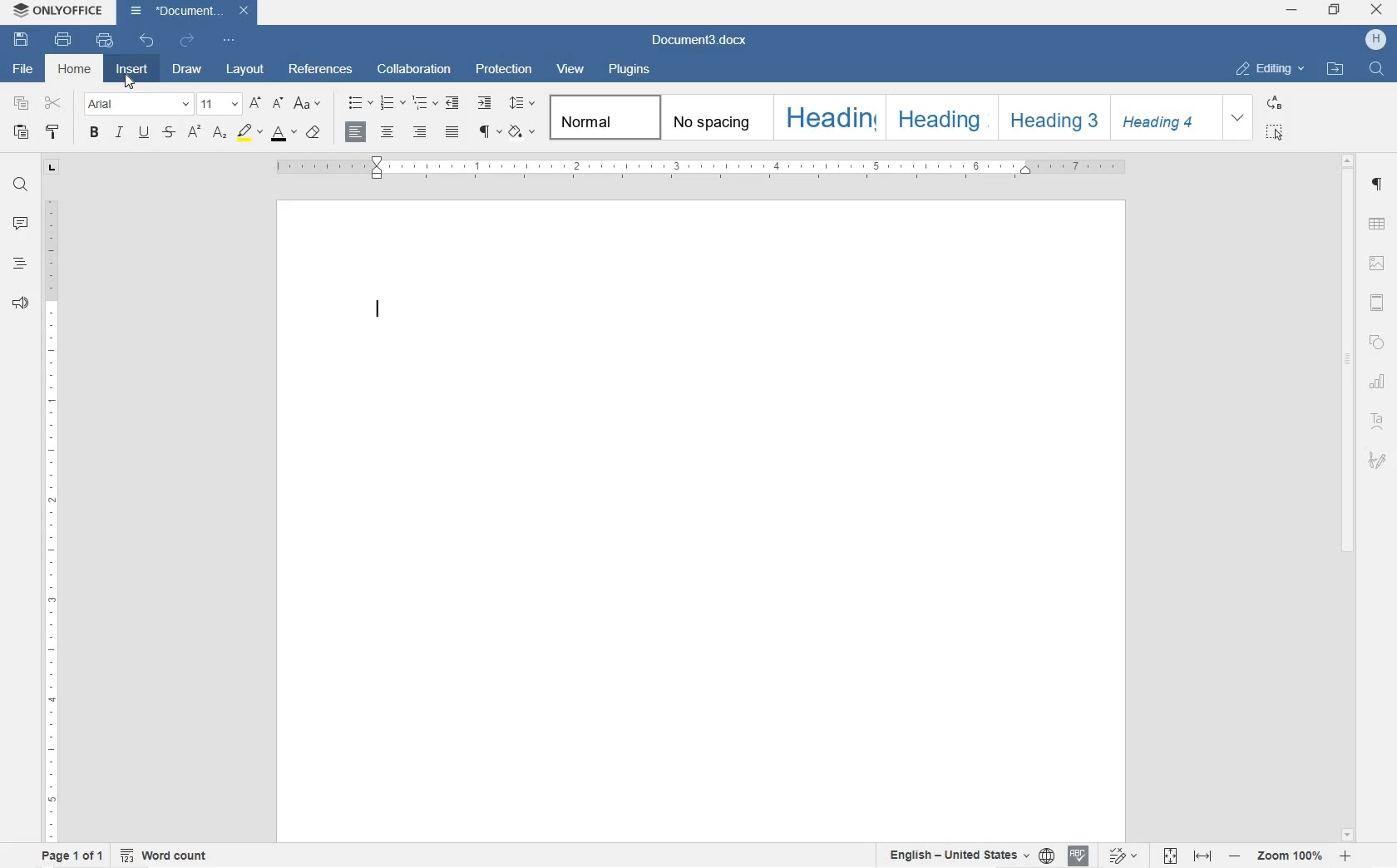 This screenshot has height=868, width=1397. I want to click on Document3.docx, so click(700, 41).